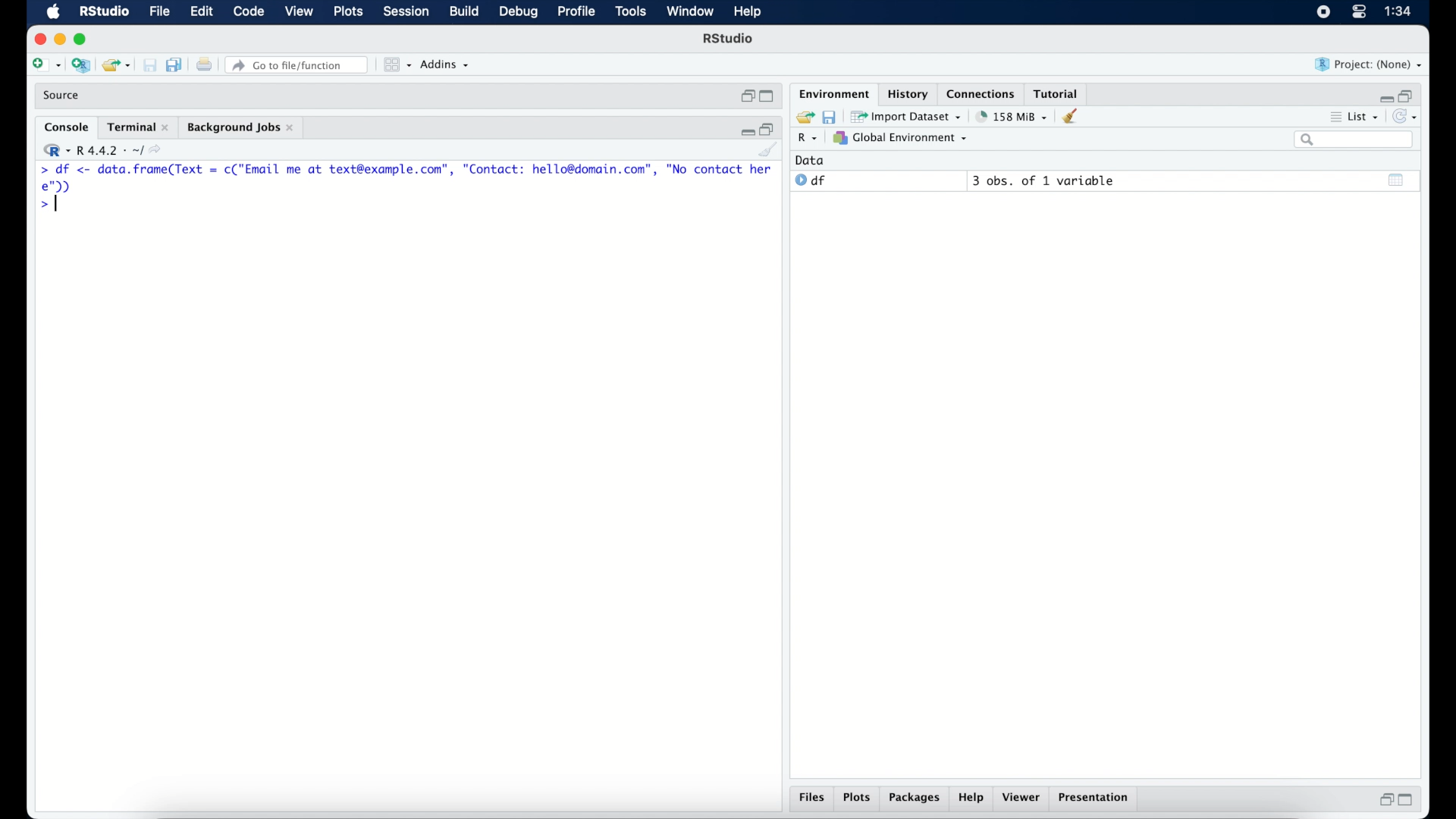  What do you see at coordinates (137, 127) in the screenshot?
I see `terminal` at bounding box center [137, 127].